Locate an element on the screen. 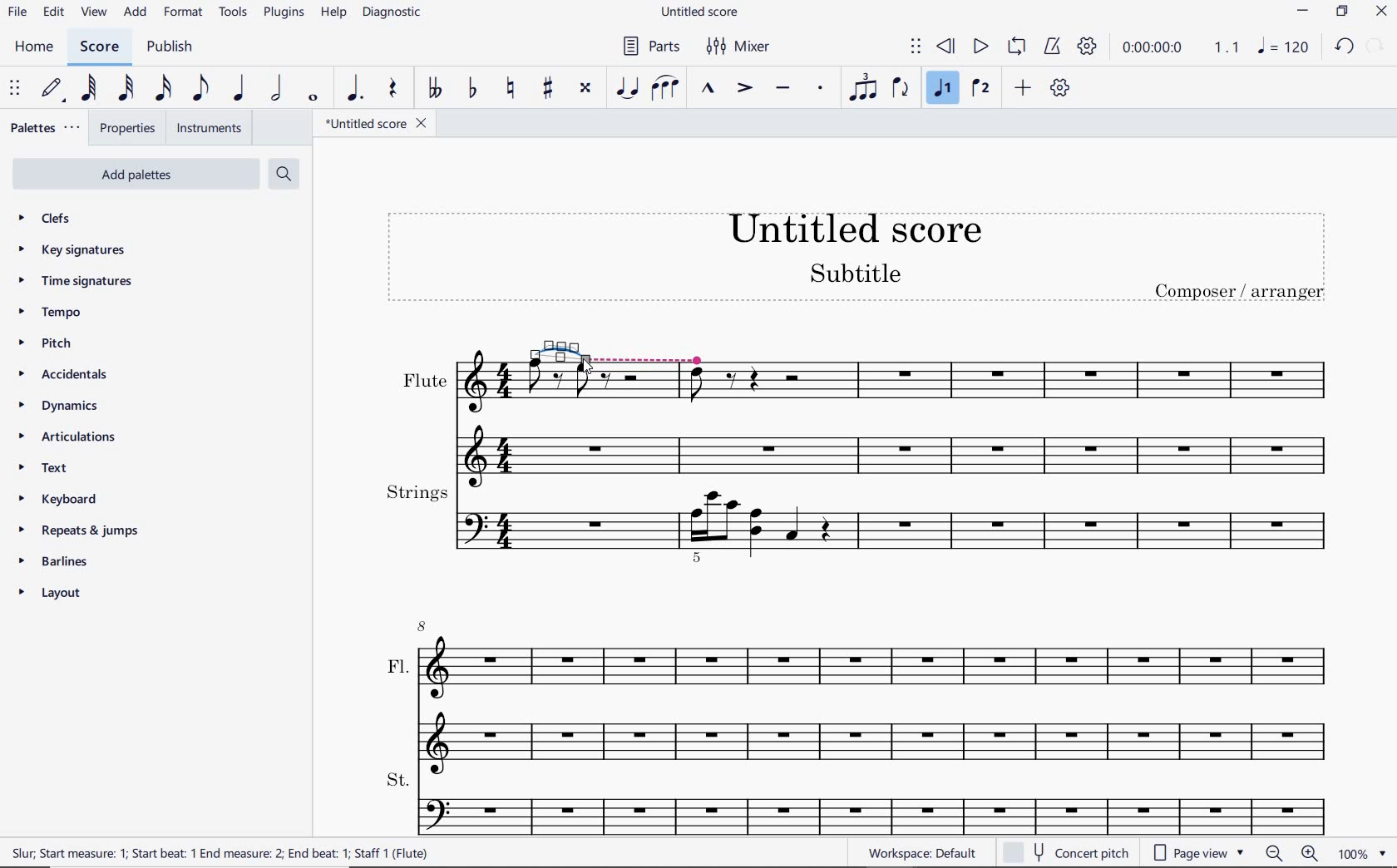 Image resolution: width=1397 pixels, height=868 pixels. TOGGLE DOUBLE-FLAT is located at coordinates (432, 88).